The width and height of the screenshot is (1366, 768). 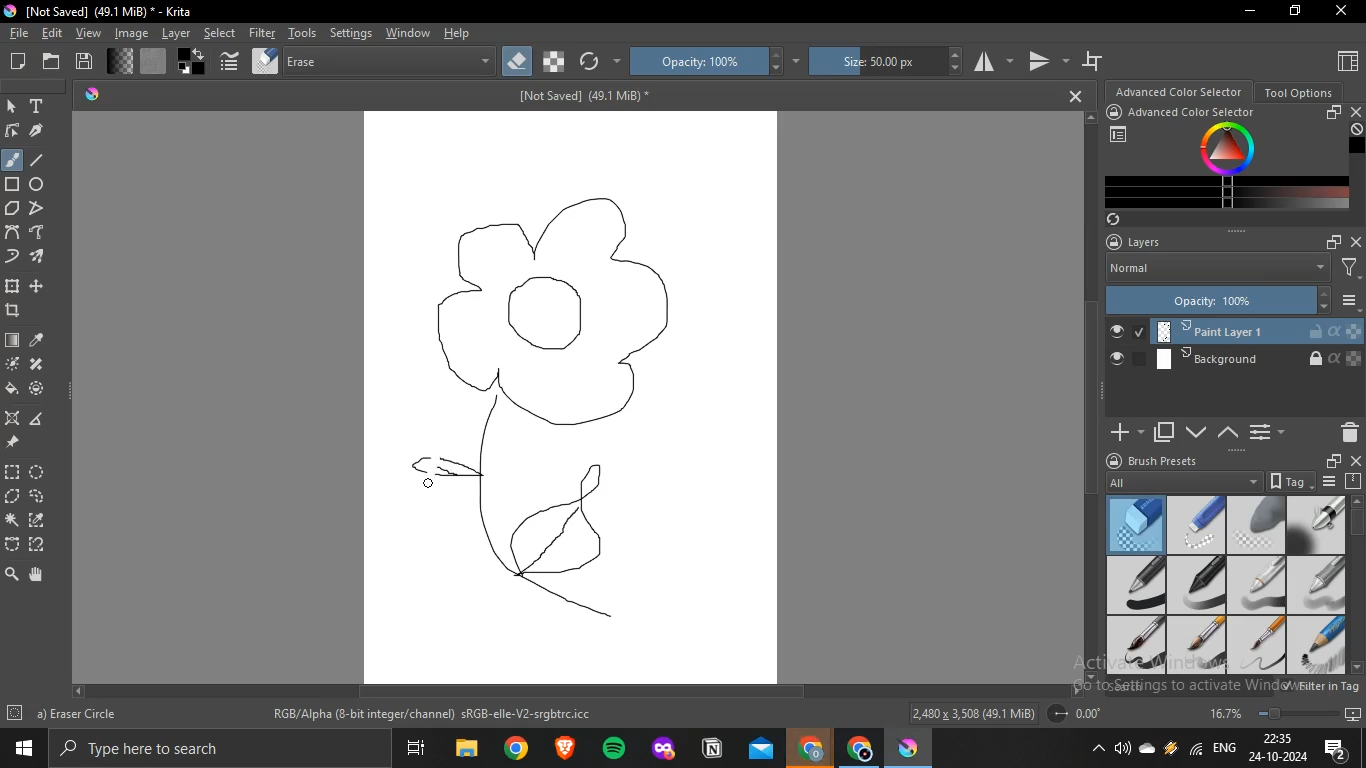 I want to click on 22:34 24-10-2024, so click(x=1275, y=748).